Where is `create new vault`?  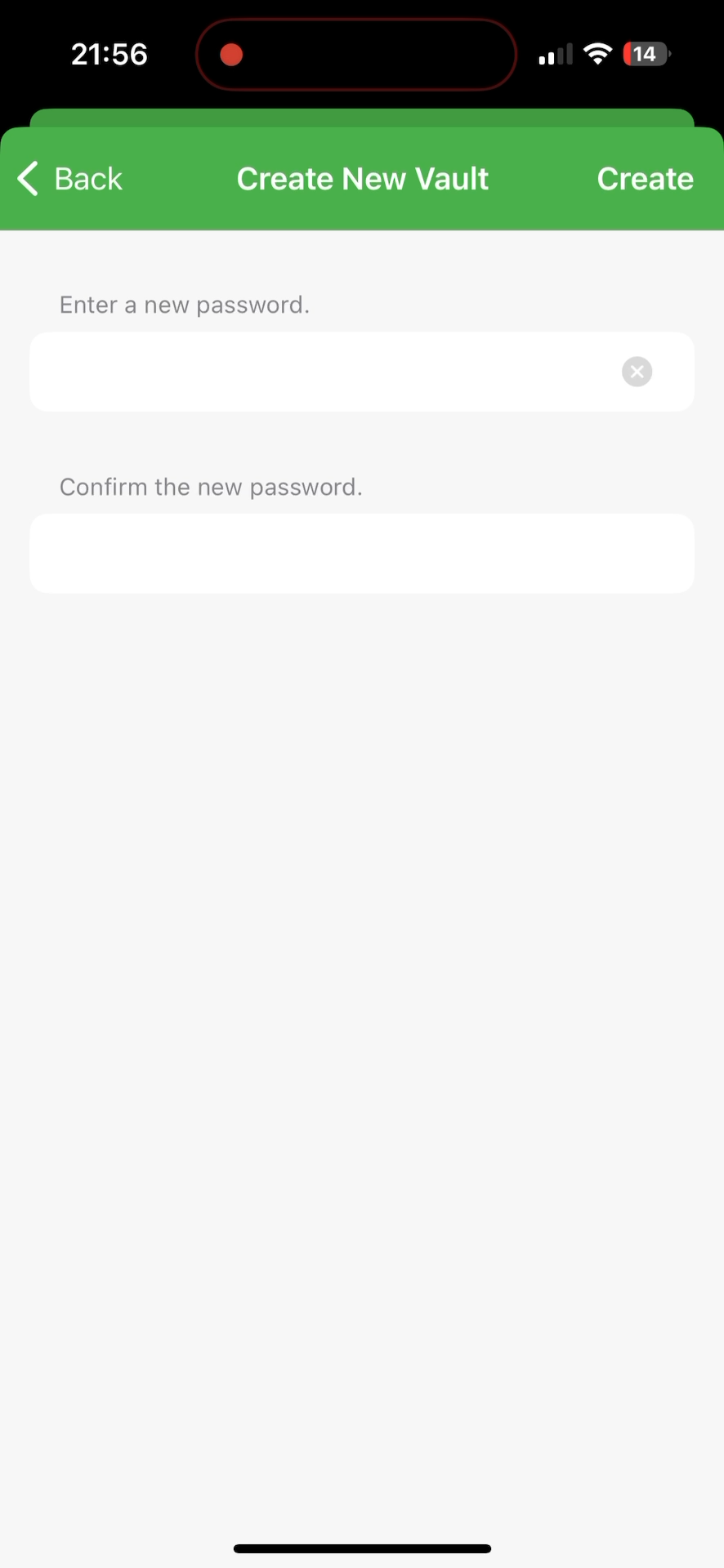 create new vault is located at coordinates (367, 171).